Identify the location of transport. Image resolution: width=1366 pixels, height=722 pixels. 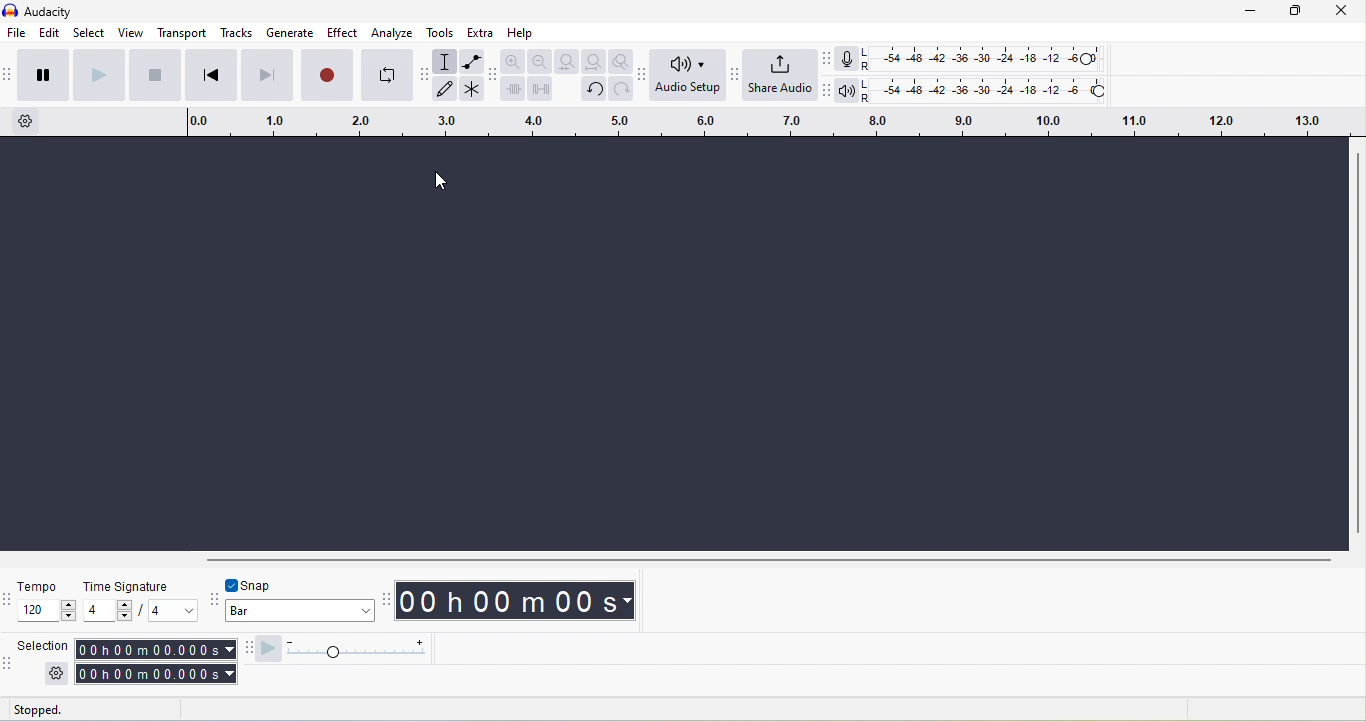
(182, 33).